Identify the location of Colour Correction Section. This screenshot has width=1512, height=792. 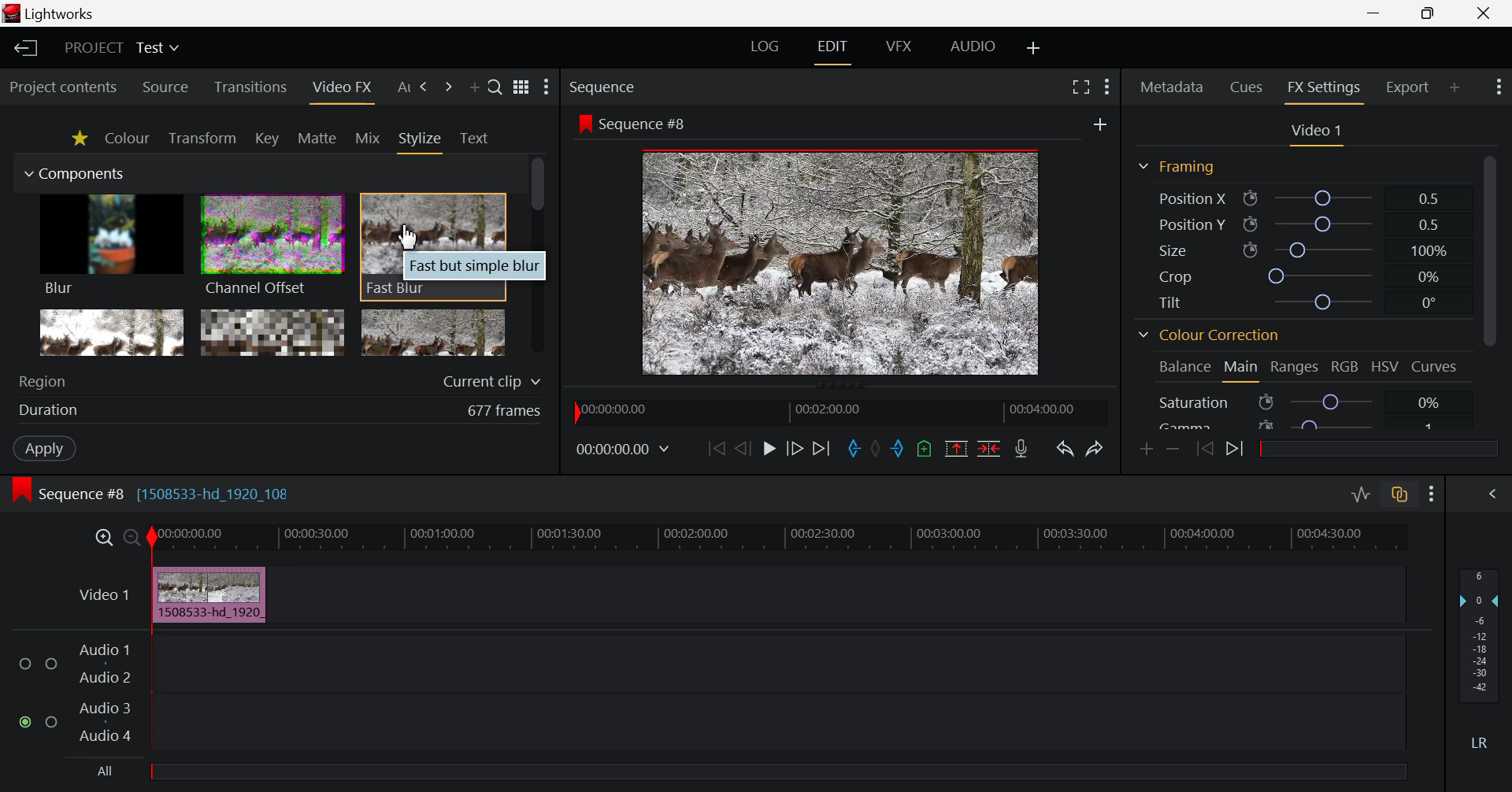
(1210, 335).